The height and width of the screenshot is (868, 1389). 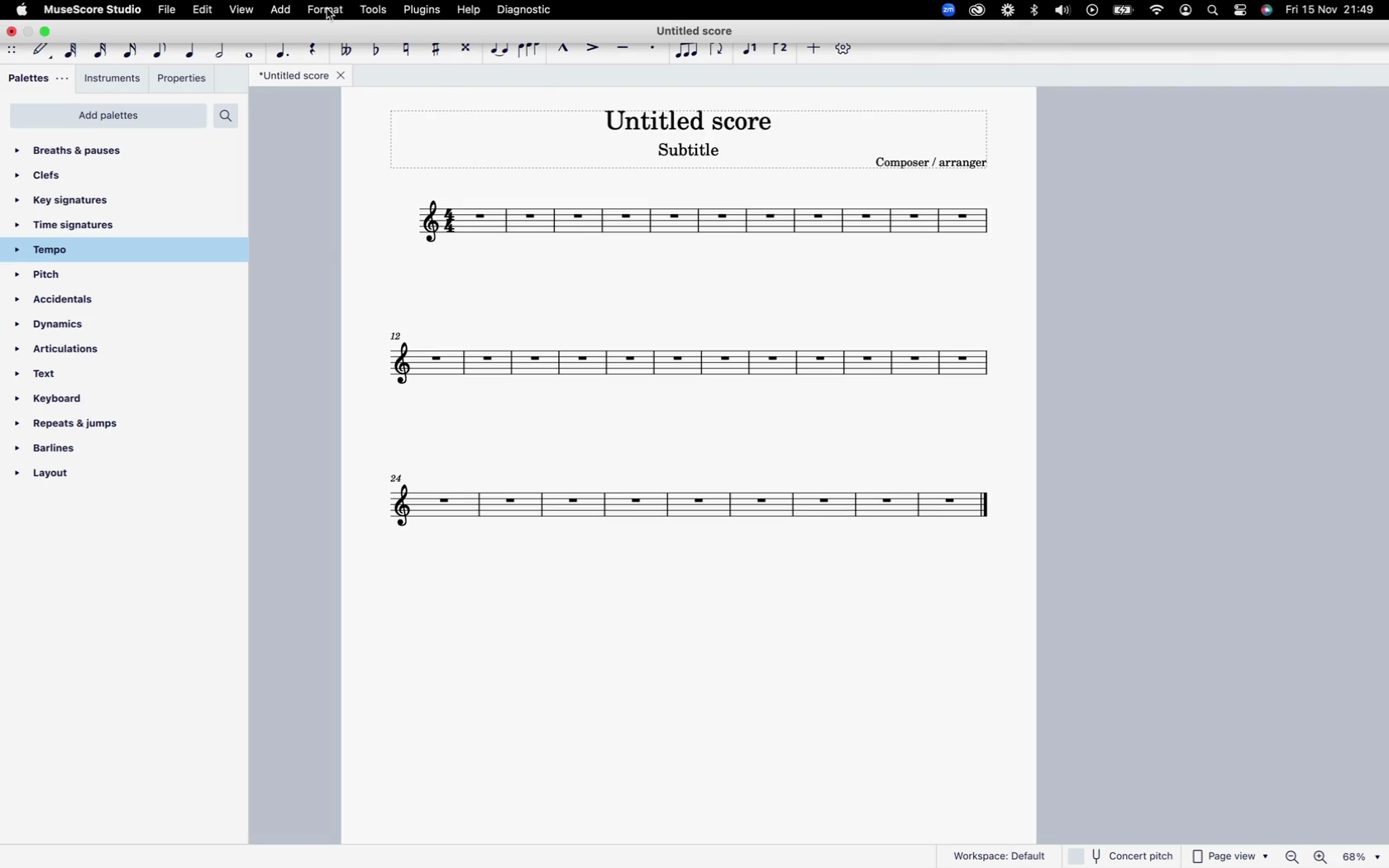 What do you see at coordinates (69, 276) in the screenshot?
I see `pitch` at bounding box center [69, 276].